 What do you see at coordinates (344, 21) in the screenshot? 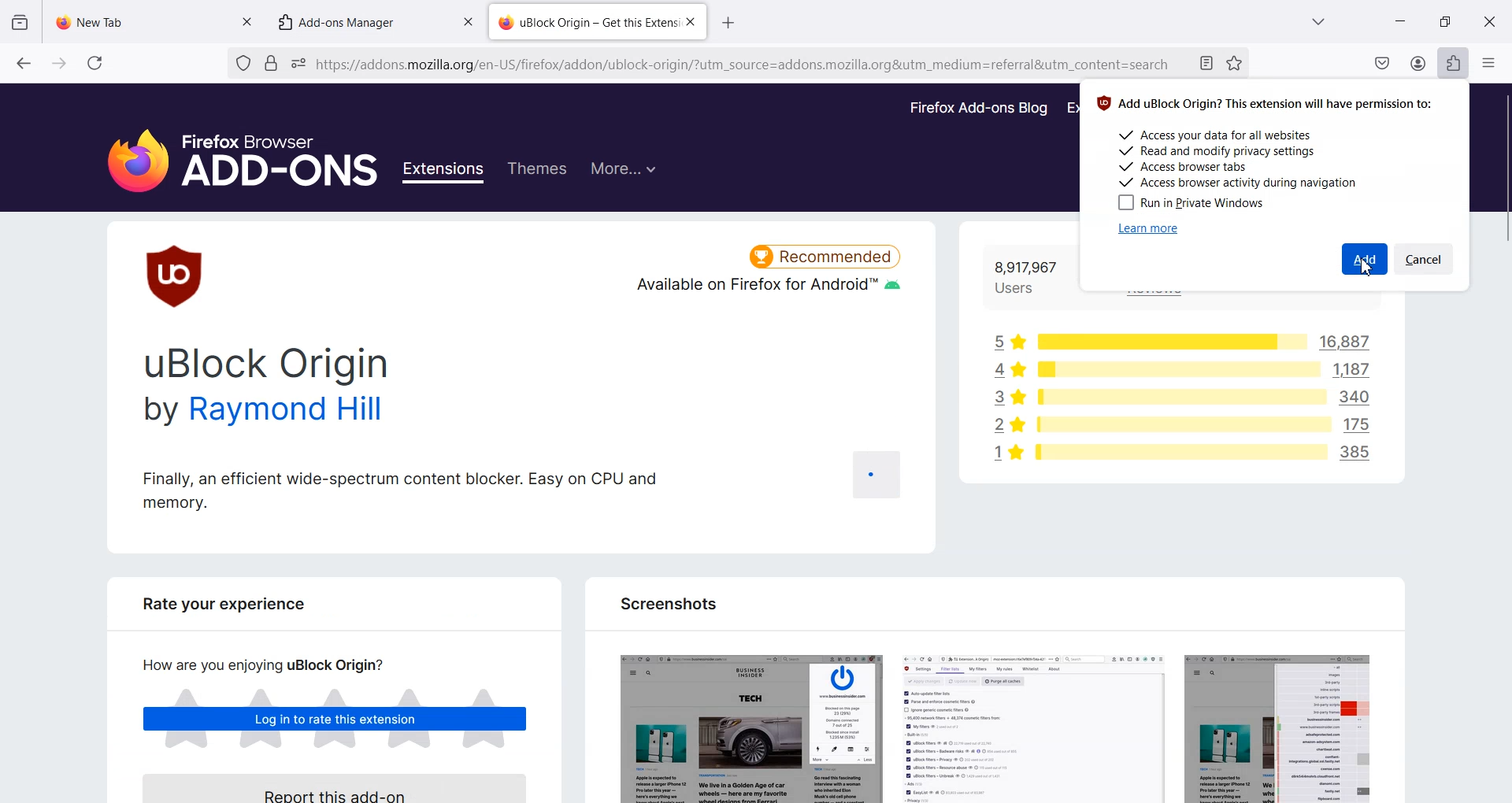
I see `Add-ons Manager` at bounding box center [344, 21].